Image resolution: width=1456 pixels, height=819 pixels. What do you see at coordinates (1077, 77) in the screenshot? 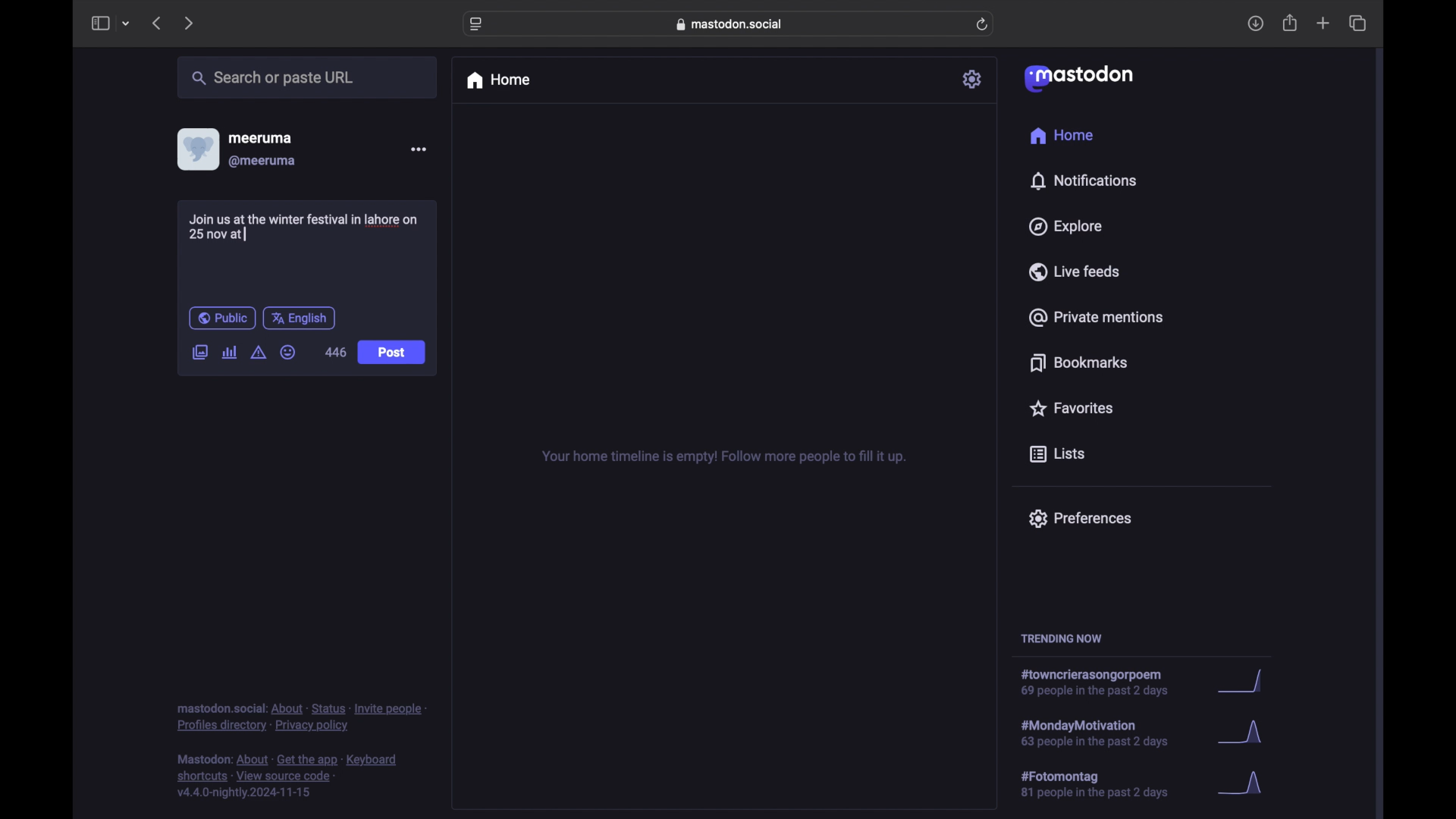
I see `mastodon` at bounding box center [1077, 77].